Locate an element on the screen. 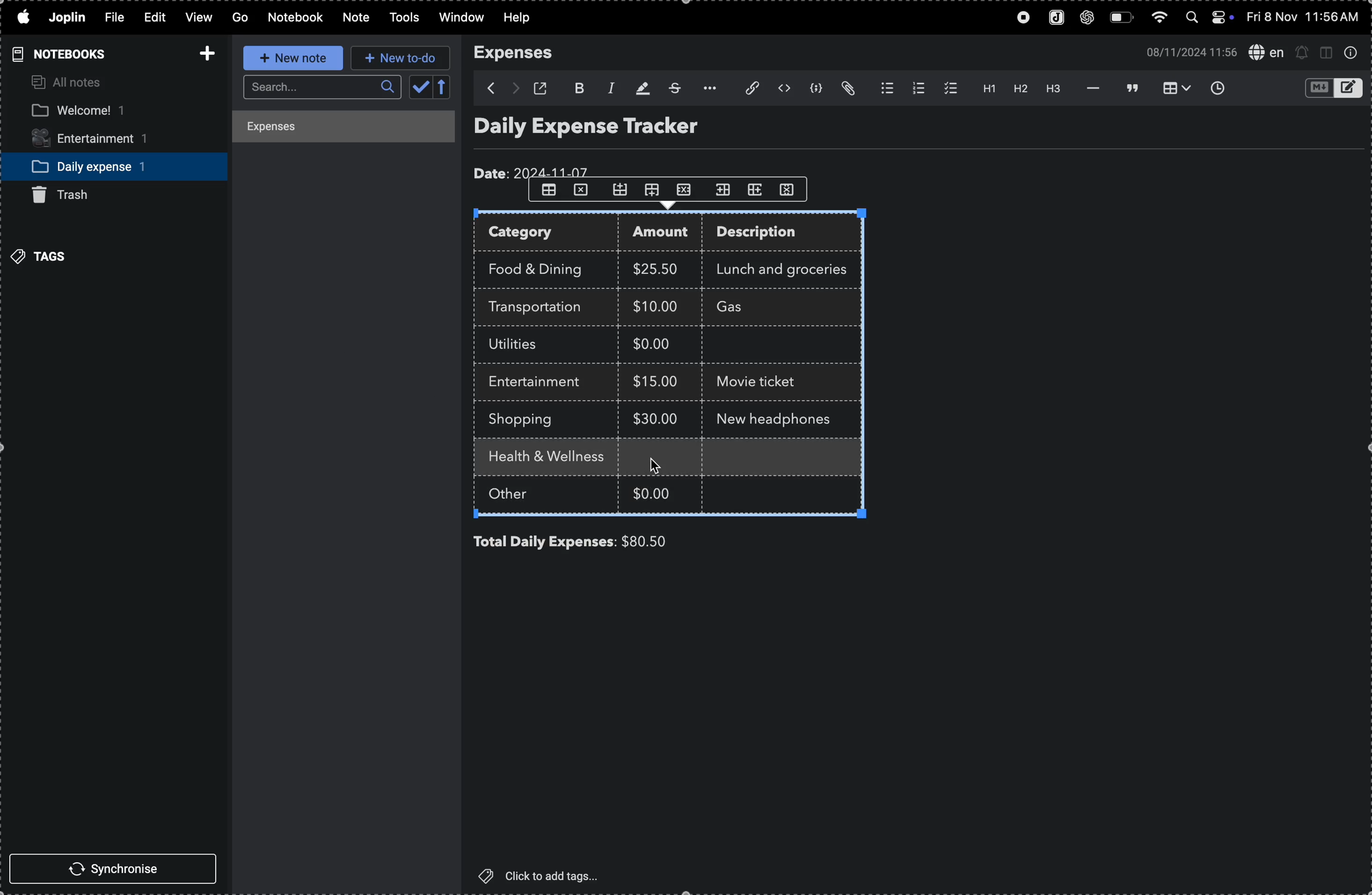 The width and height of the screenshot is (1372, 895). description is located at coordinates (768, 234).